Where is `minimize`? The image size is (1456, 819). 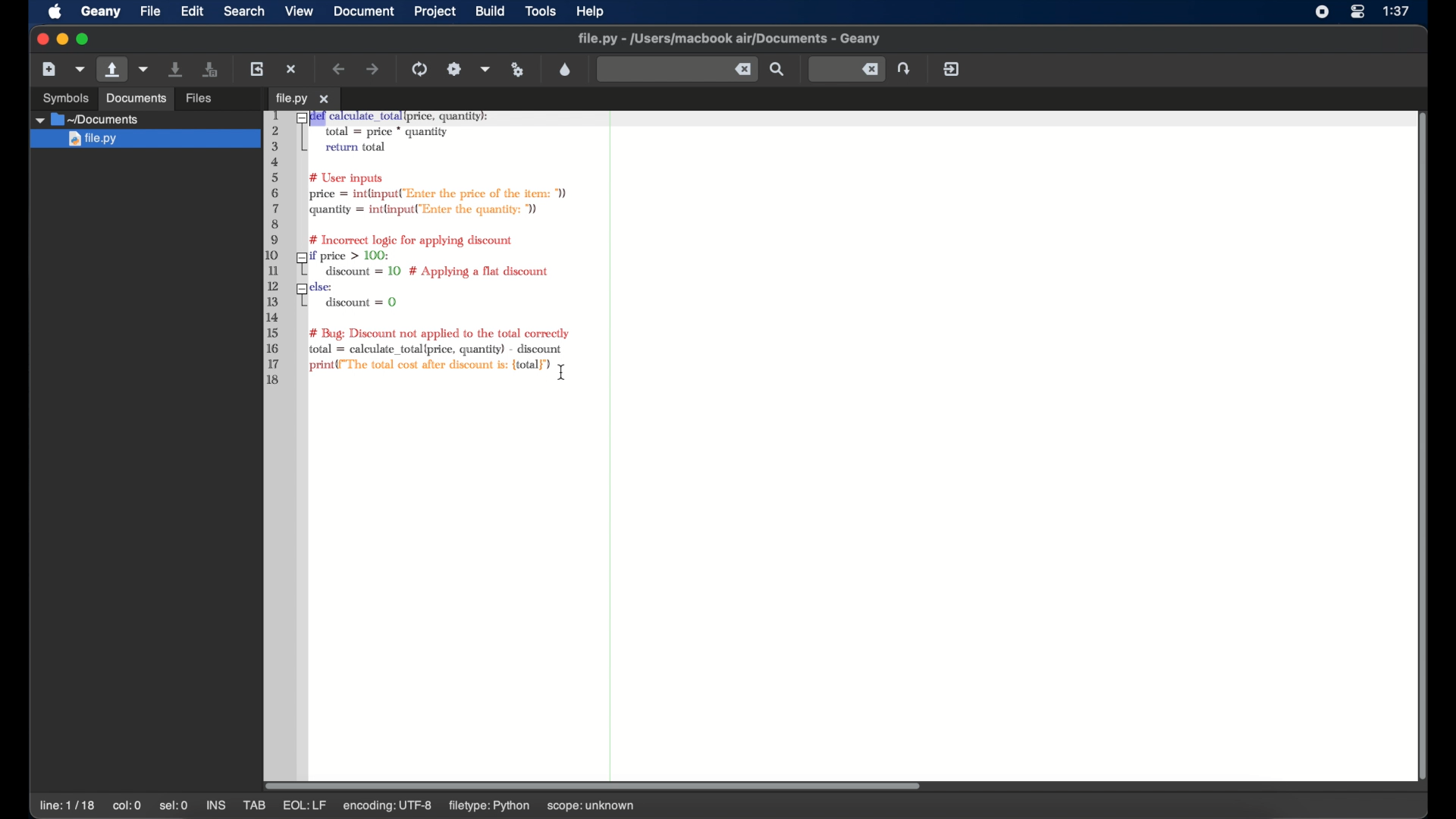
minimize is located at coordinates (62, 39).